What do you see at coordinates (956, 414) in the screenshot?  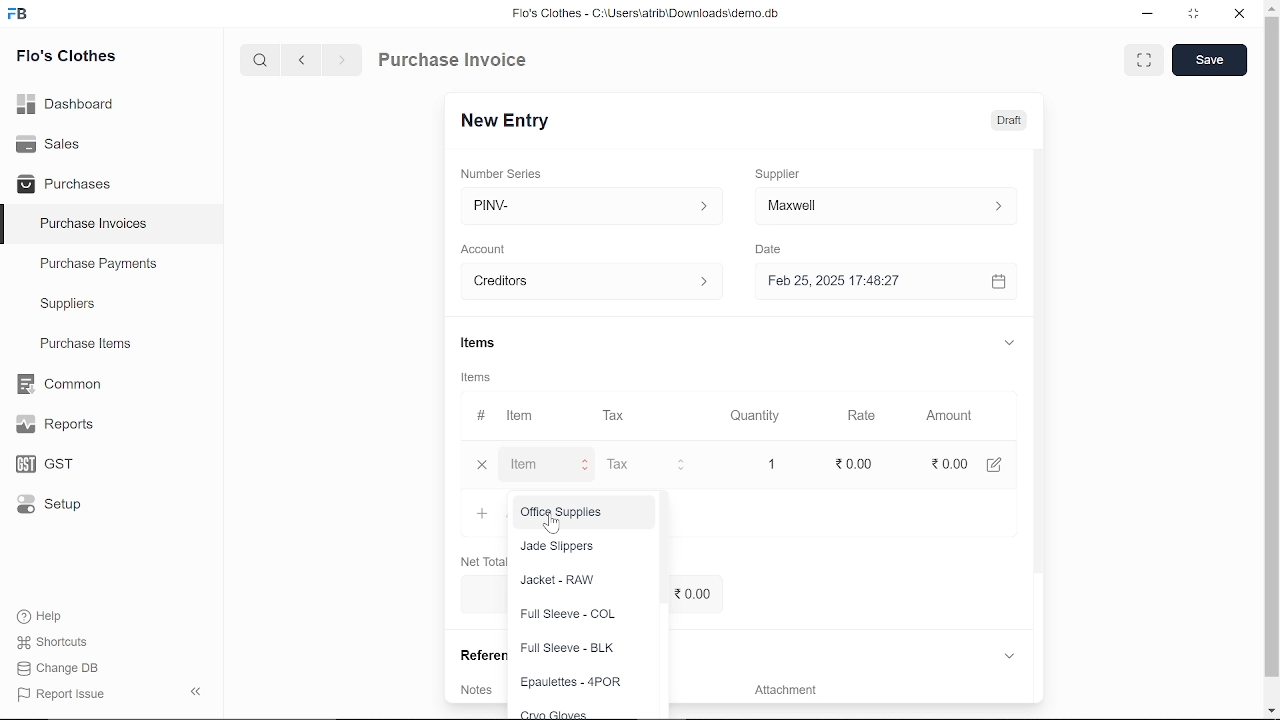 I see `Amount` at bounding box center [956, 414].